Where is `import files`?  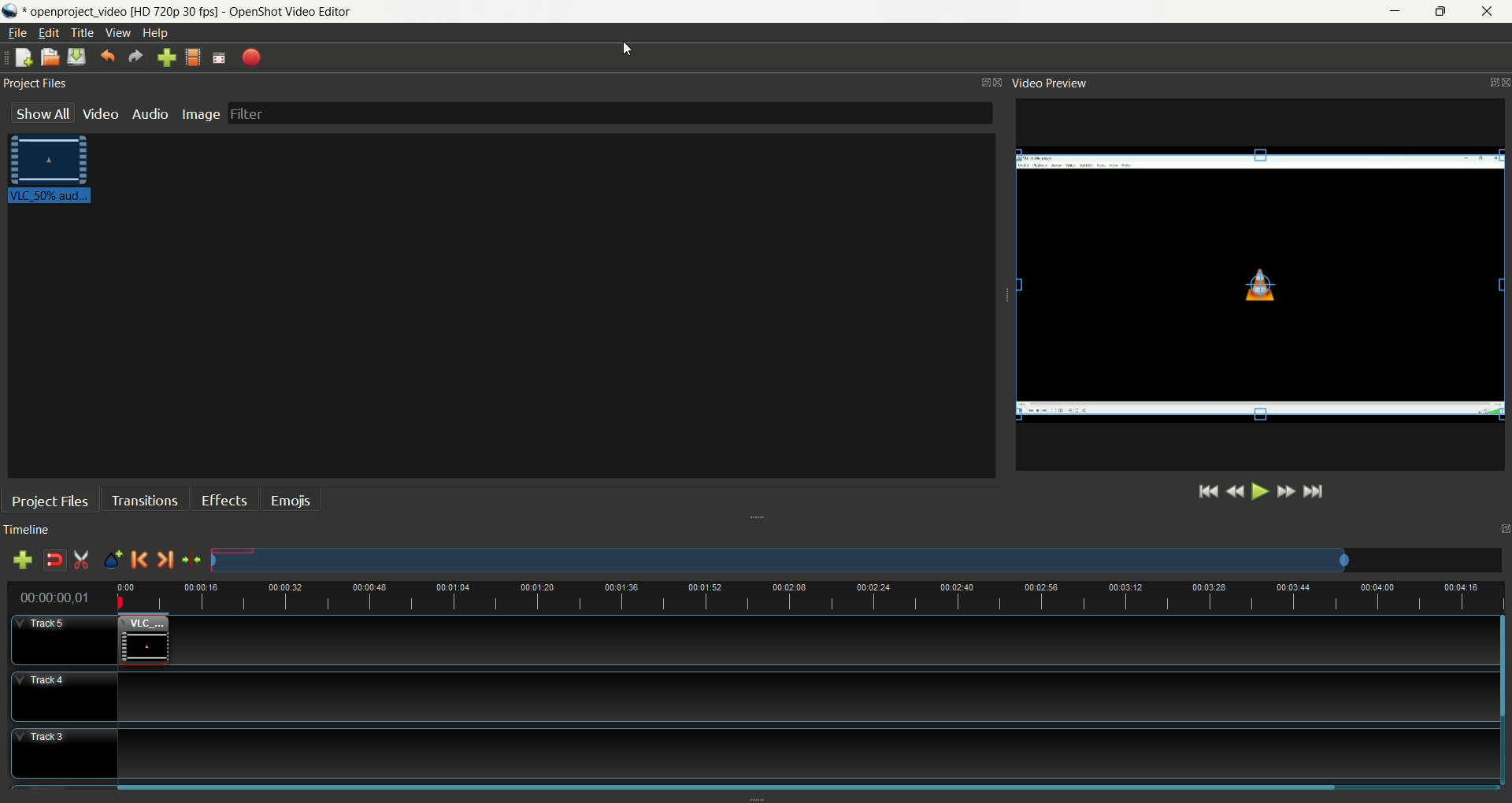 import files is located at coordinates (167, 57).